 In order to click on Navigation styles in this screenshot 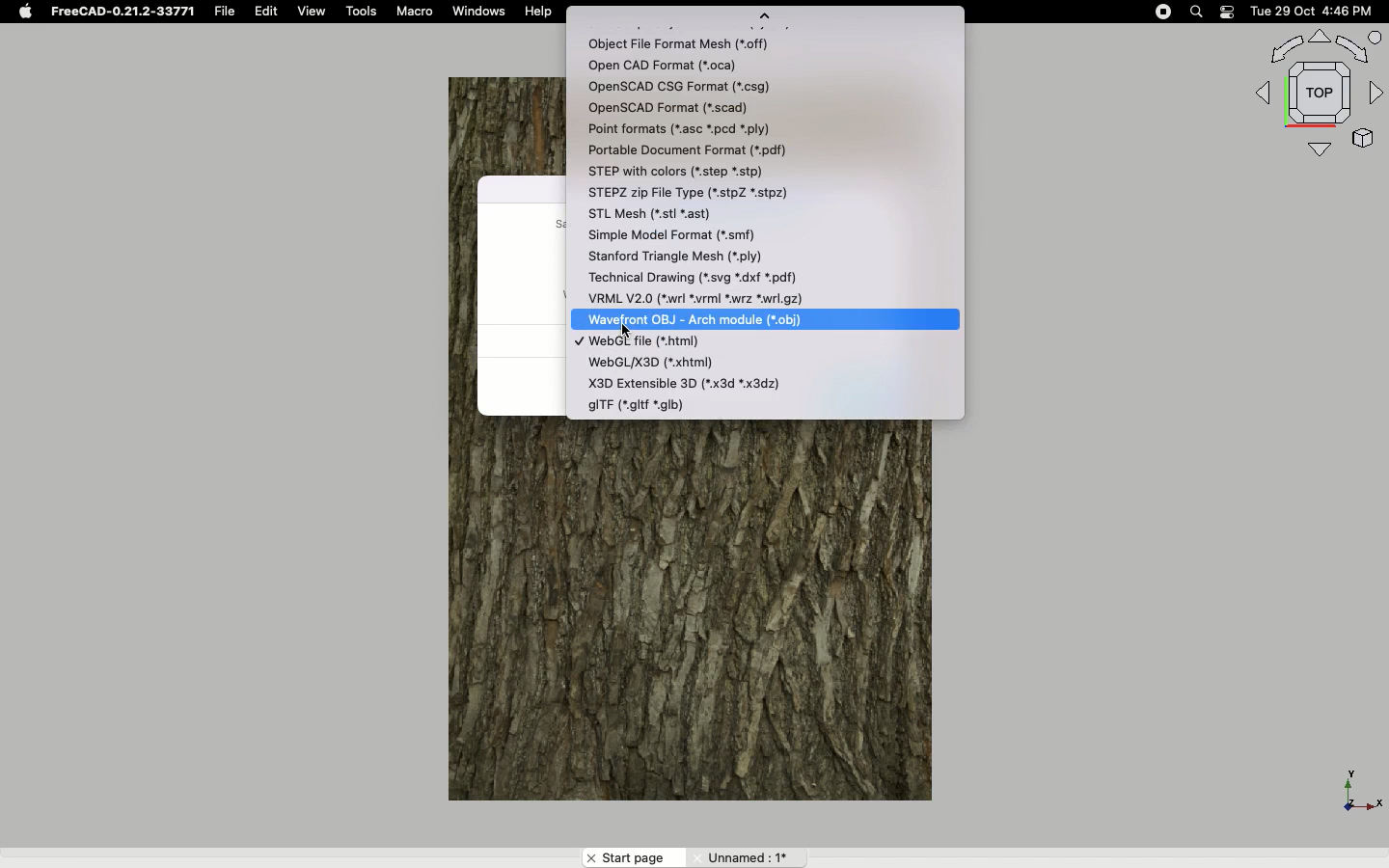, I will do `click(1316, 93)`.